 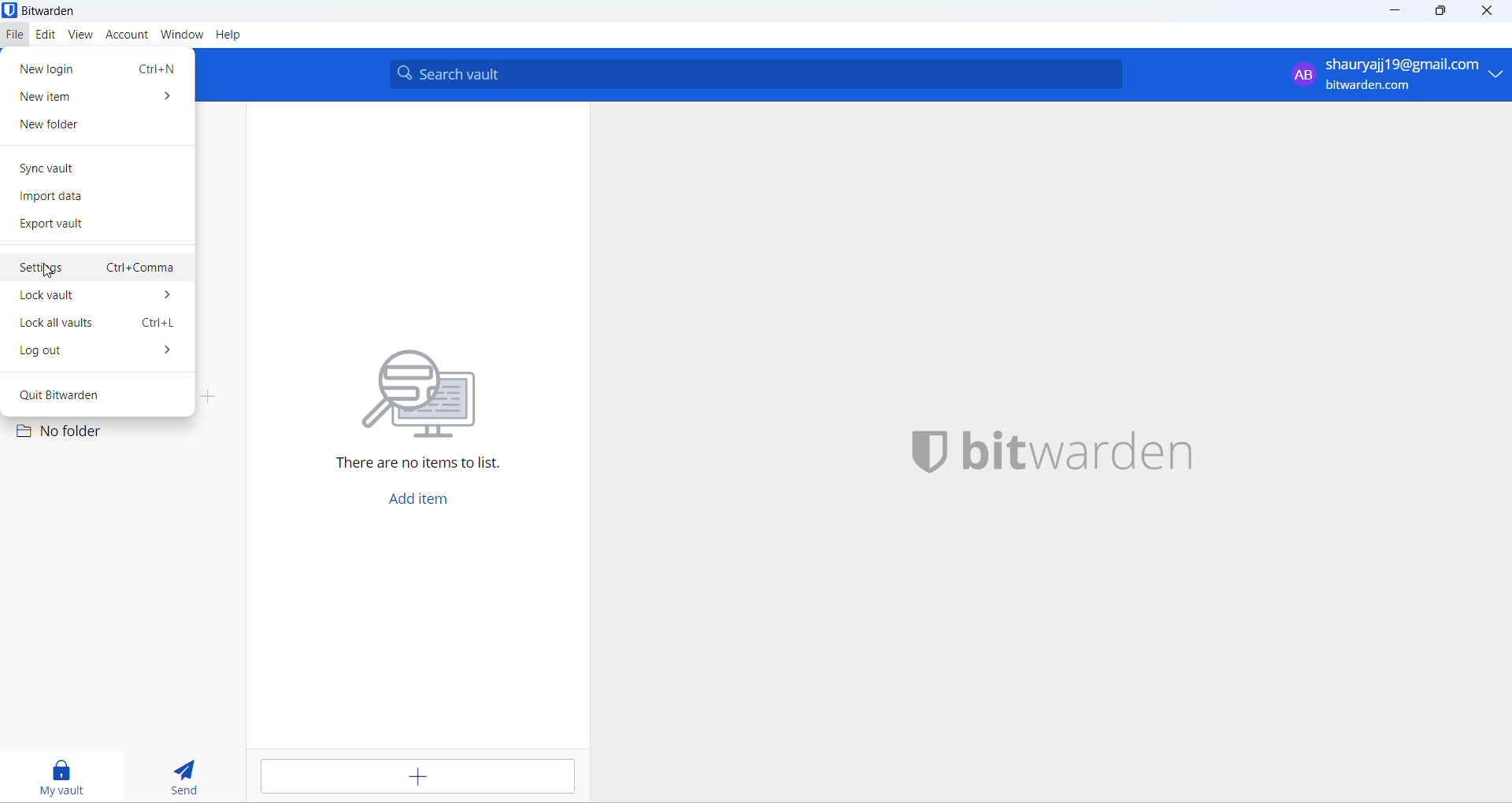 I want to click on new item, so click(x=95, y=98).